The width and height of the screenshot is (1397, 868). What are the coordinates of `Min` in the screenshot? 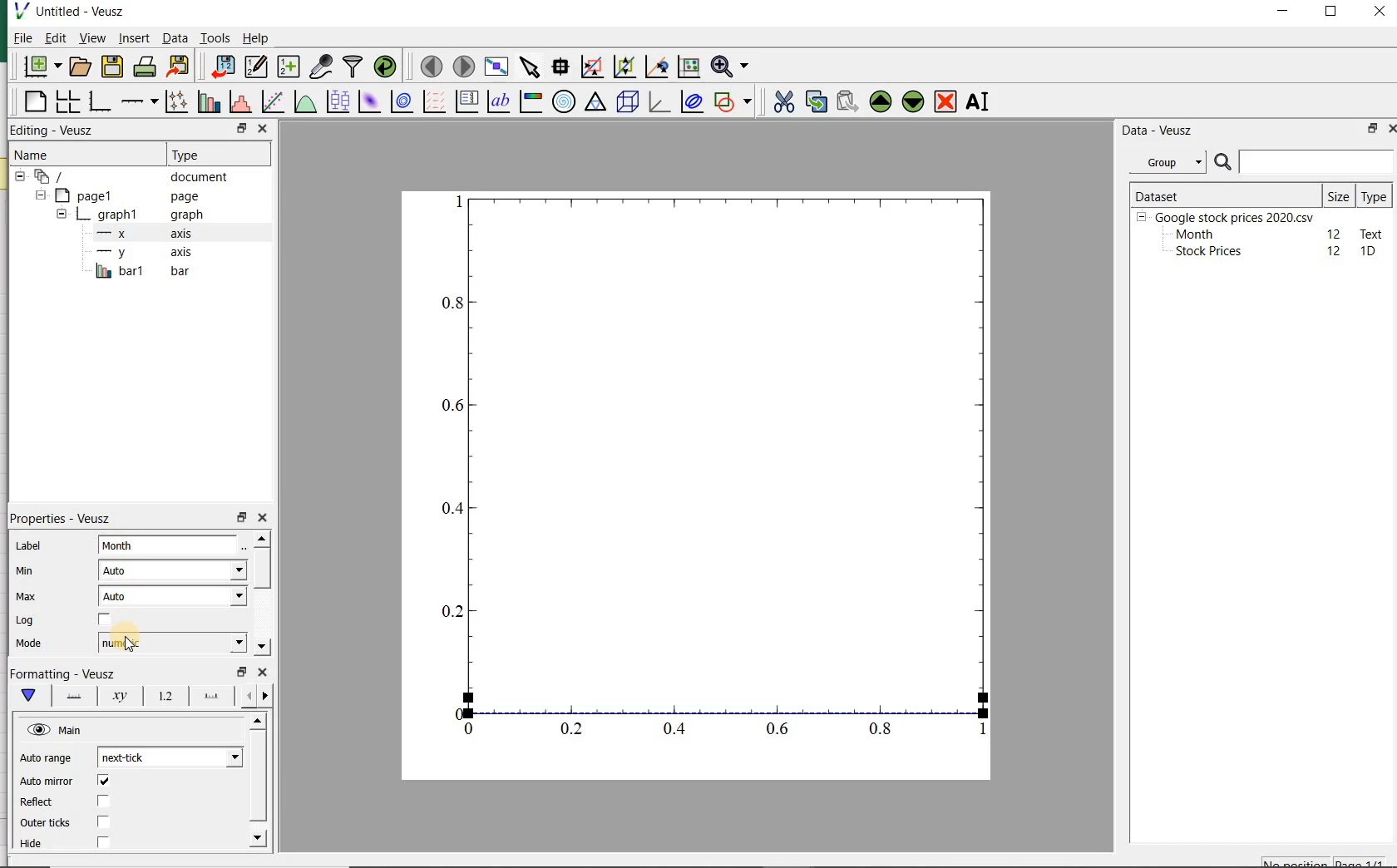 It's located at (27, 572).